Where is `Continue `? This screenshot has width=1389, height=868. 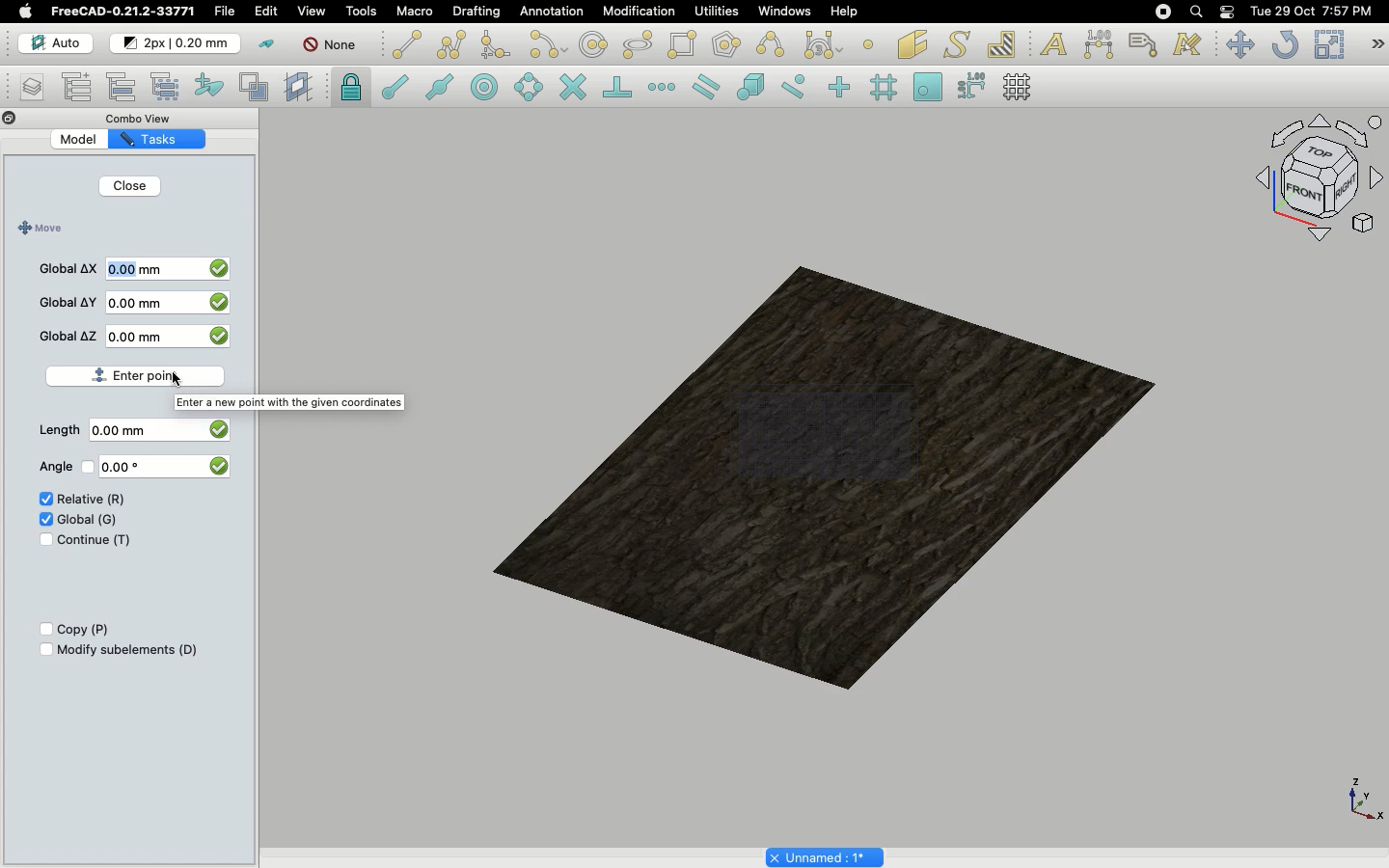
Continue  is located at coordinates (95, 540).